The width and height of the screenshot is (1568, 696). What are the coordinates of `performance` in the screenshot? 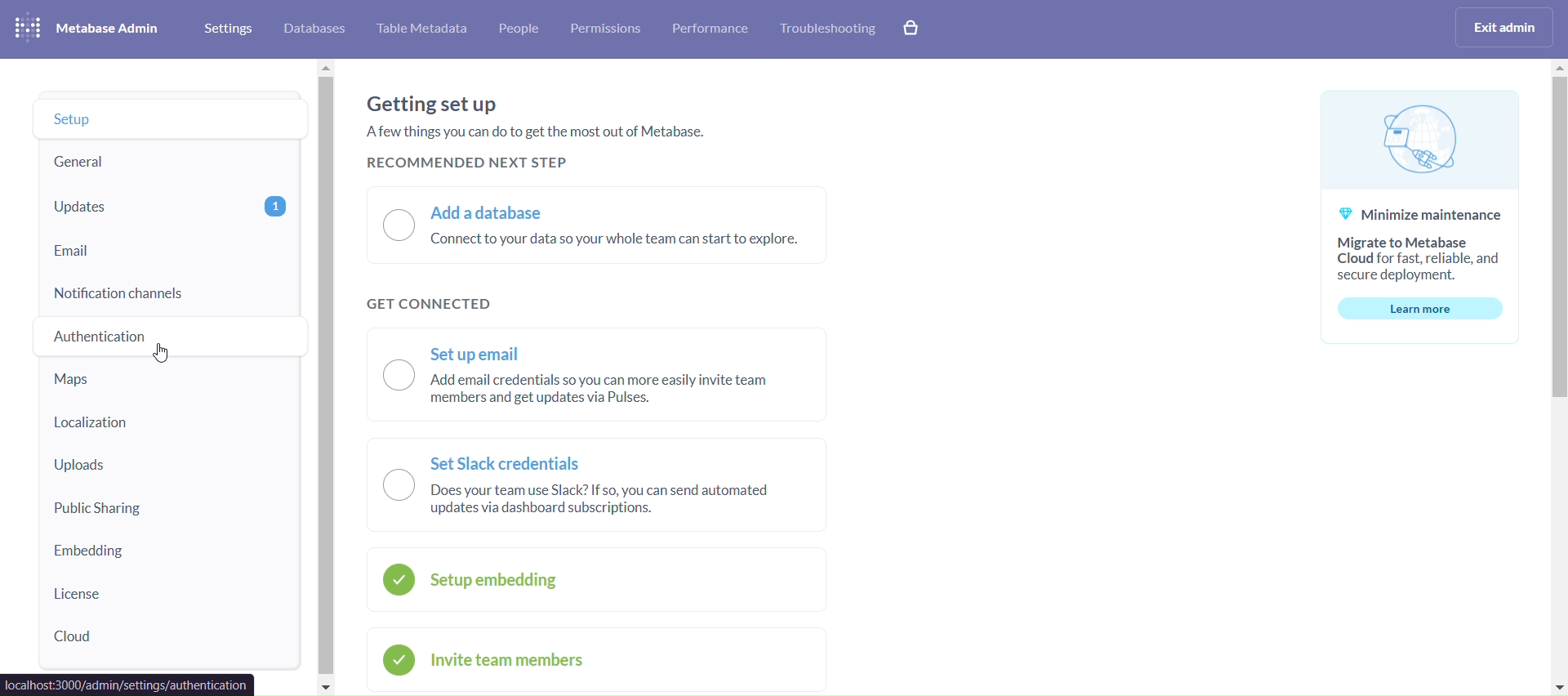 It's located at (714, 30).